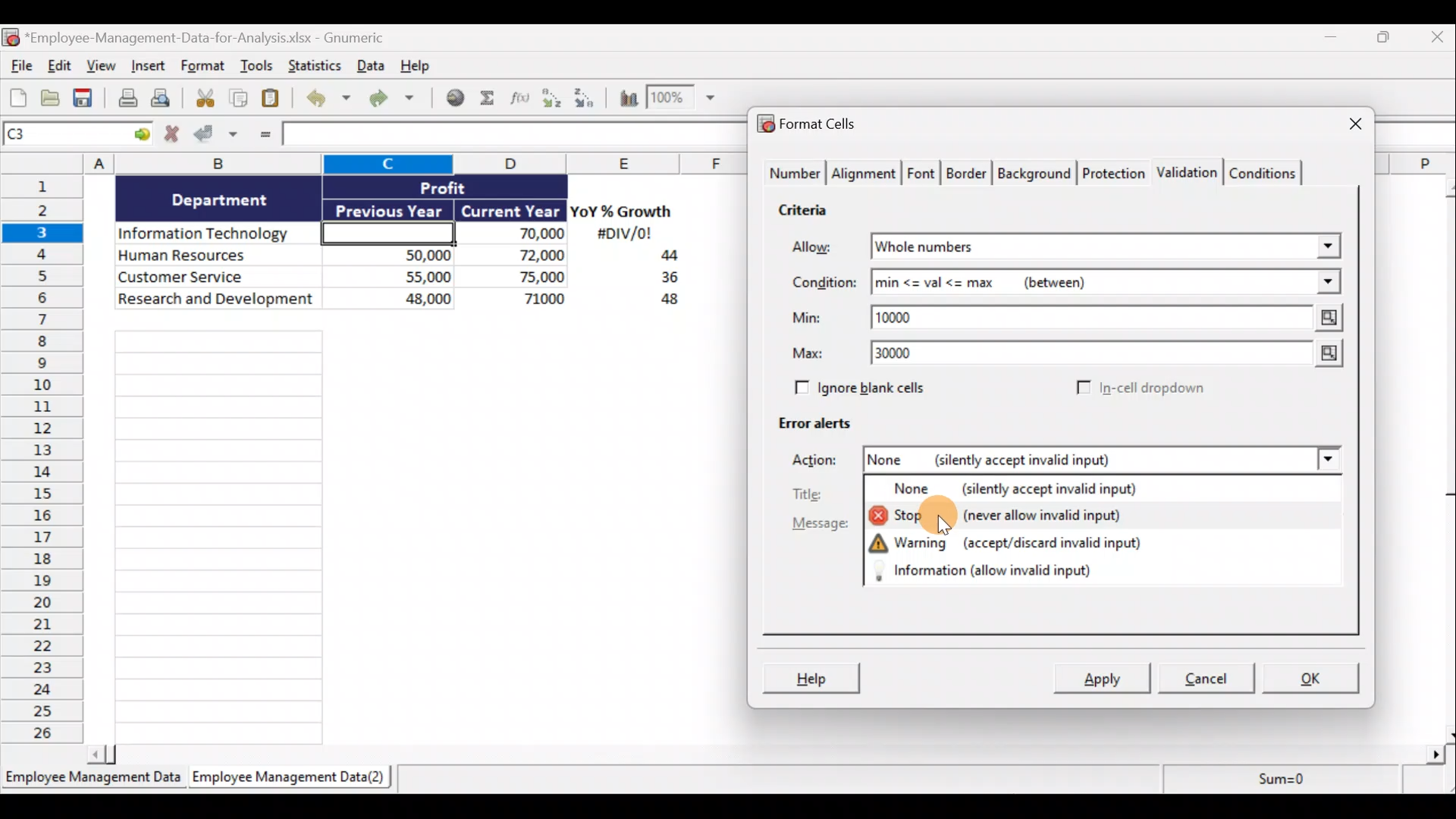 Image resolution: width=1456 pixels, height=819 pixels. What do you see at coordinates (1329, 283) in the screenshot?
I see `Condition drop down` at bounding box center [1329, 283].